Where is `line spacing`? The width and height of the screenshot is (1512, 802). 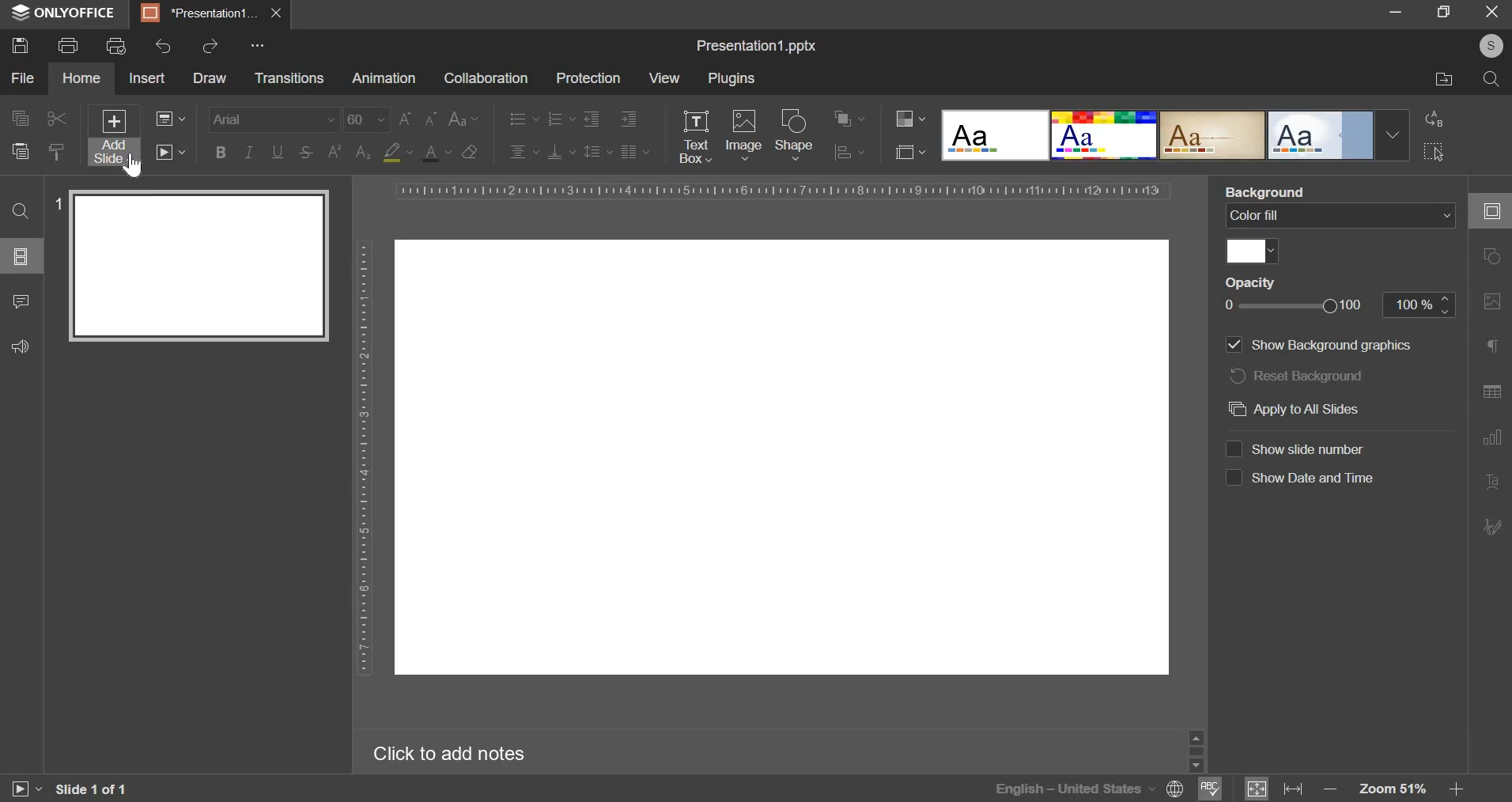 line spacing is located at coordinates (599, 150).